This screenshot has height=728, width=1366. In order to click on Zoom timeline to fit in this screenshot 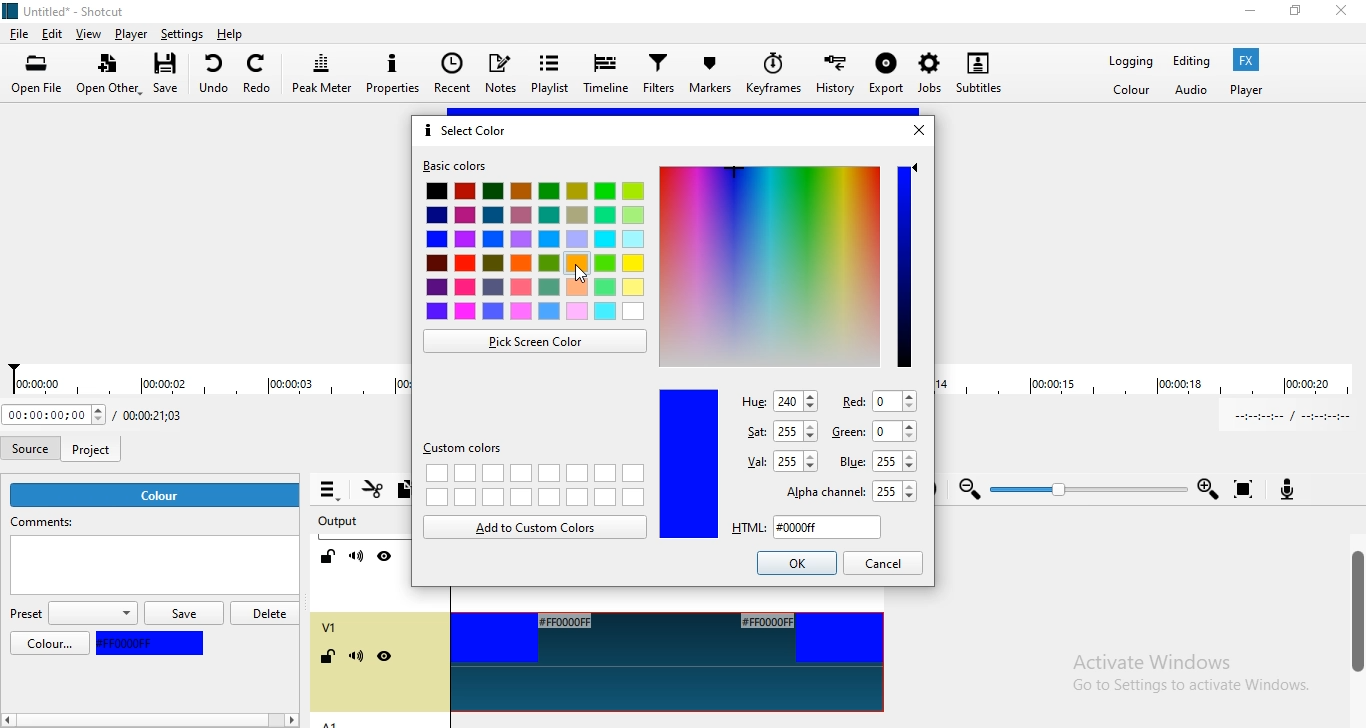, I will do `click(1243, 489)`.